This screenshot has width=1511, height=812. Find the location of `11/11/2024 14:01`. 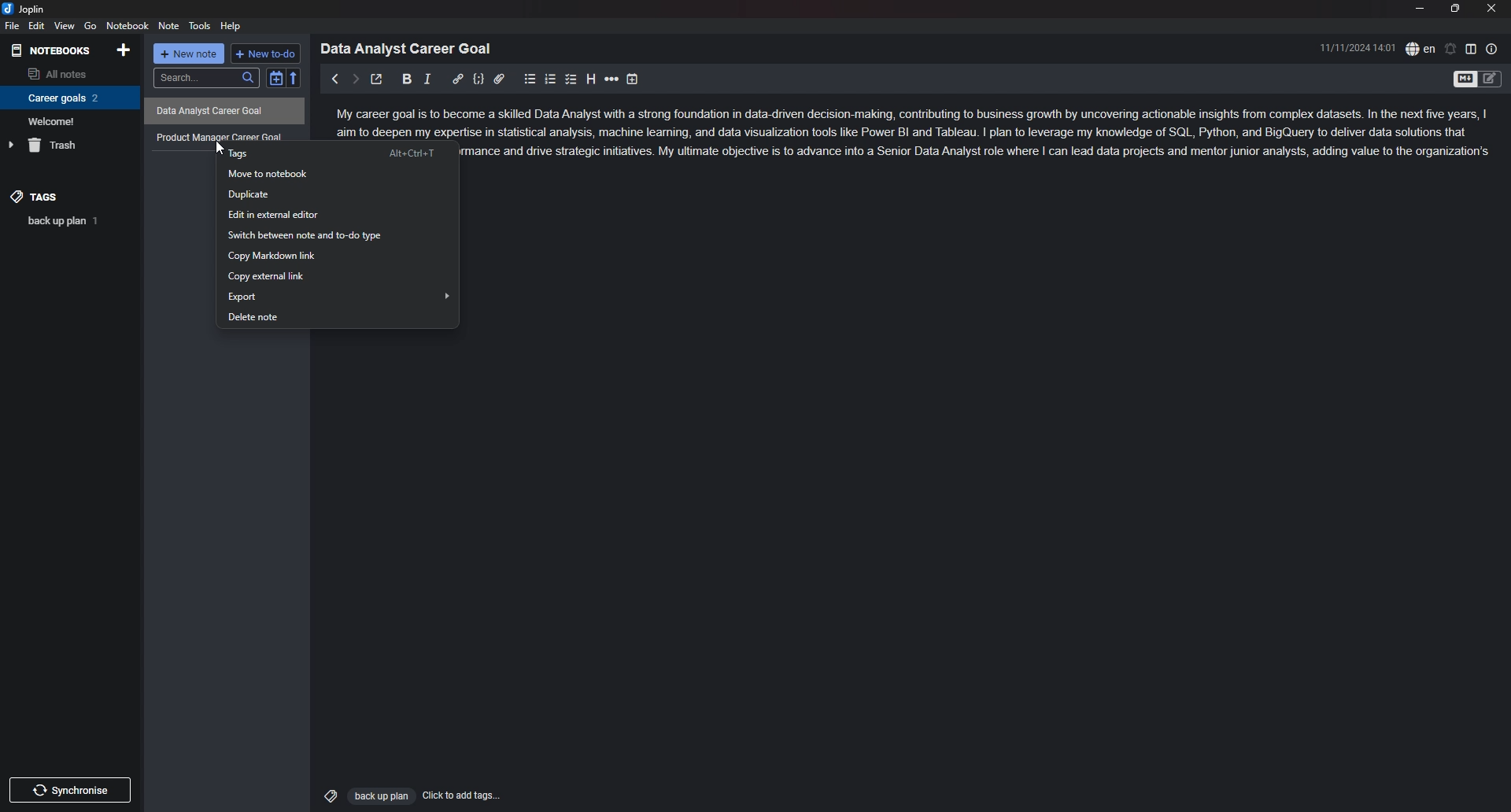

11/11/2024 14:01 is located at coordinates (1358, 47).